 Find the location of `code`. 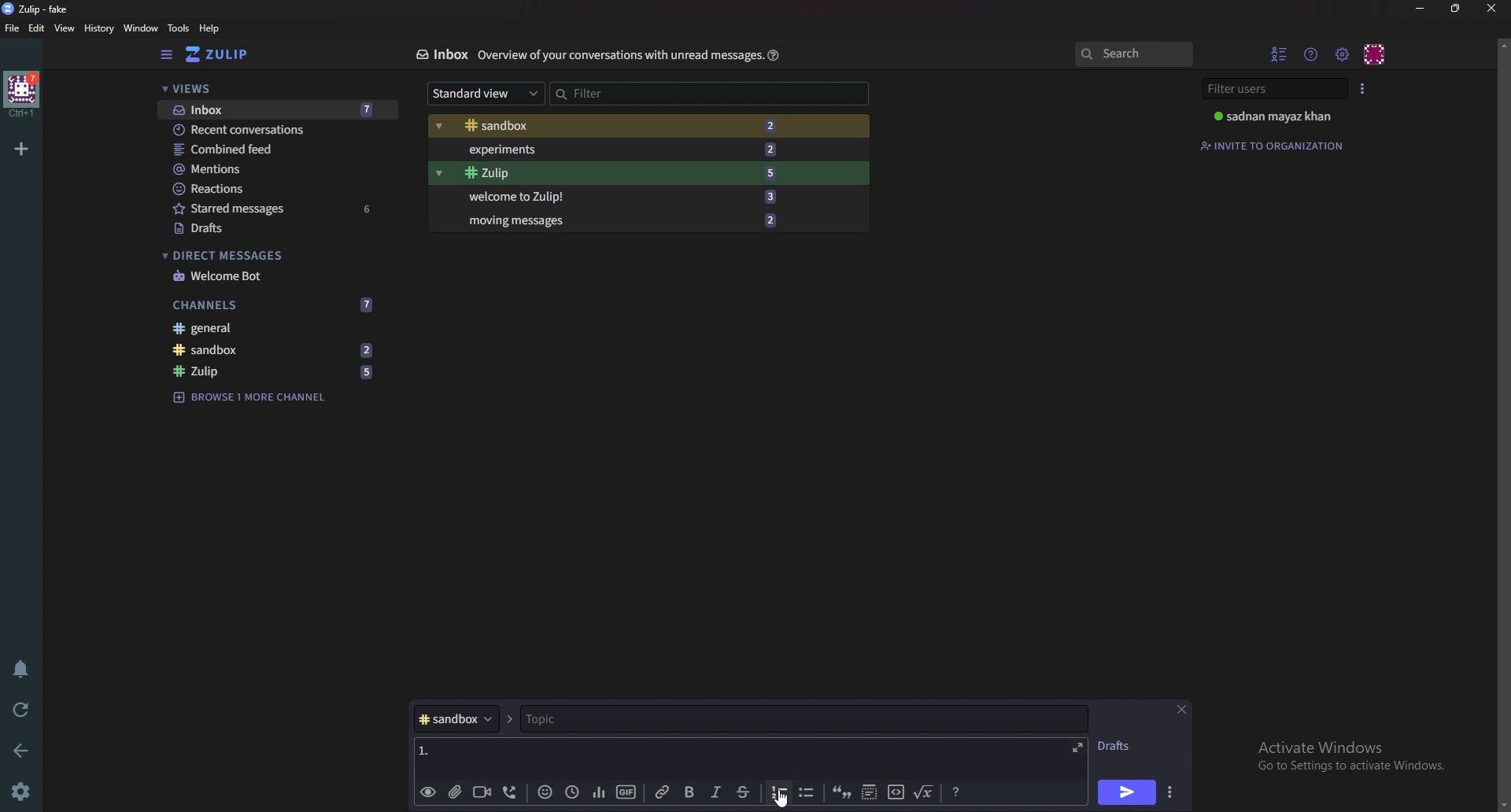

code is located at coordinates (895, 794).